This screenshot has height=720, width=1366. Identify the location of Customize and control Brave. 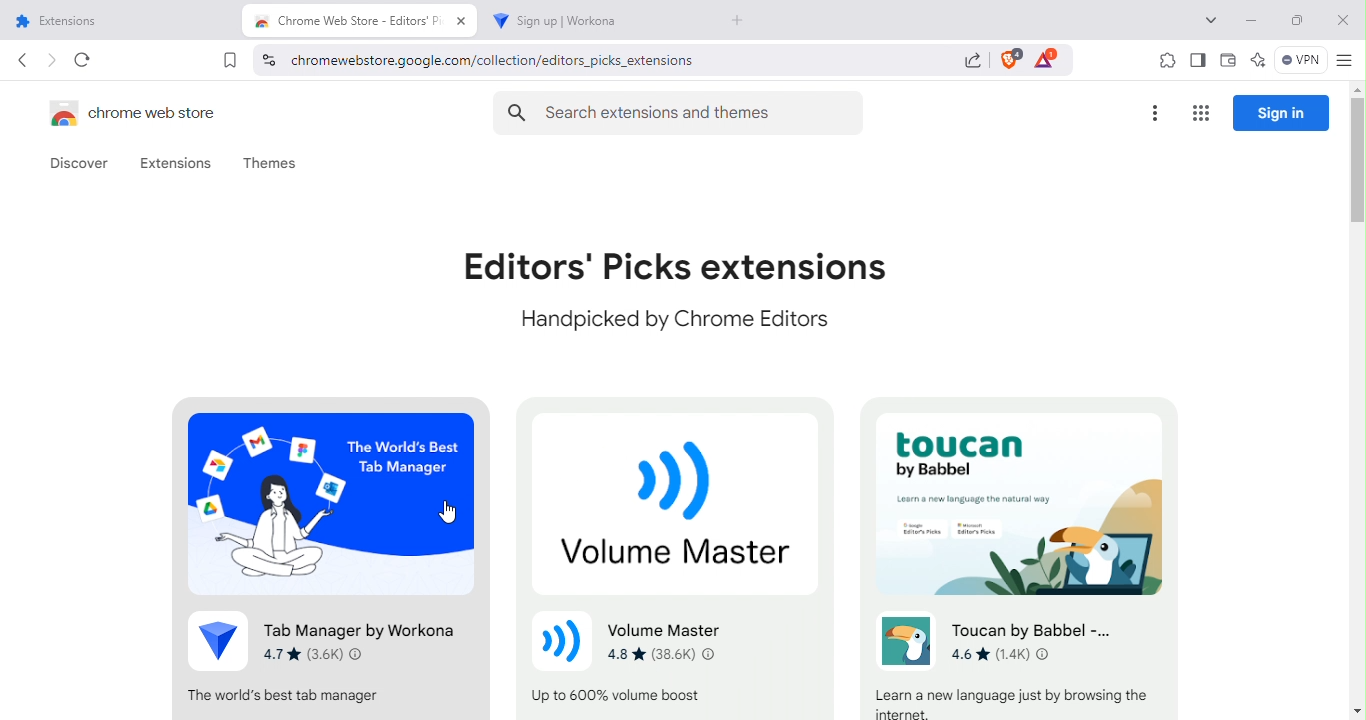
(1343, 62).